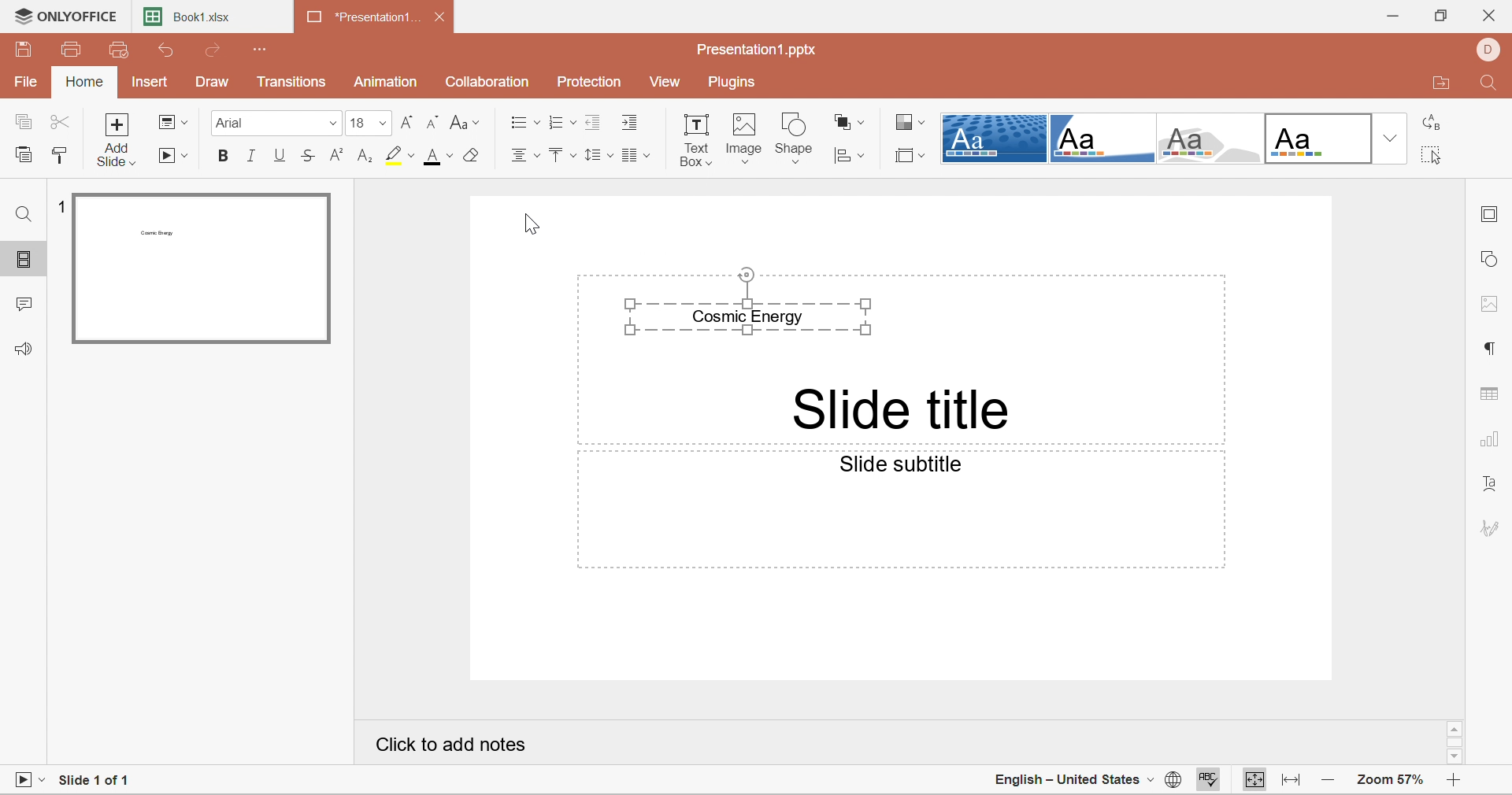 The height and width of the screenshot is (795, 1512). What do you see at coordinates (148, 84) in the screenshot?
I see `Insert` at bounding box center [148, 84].